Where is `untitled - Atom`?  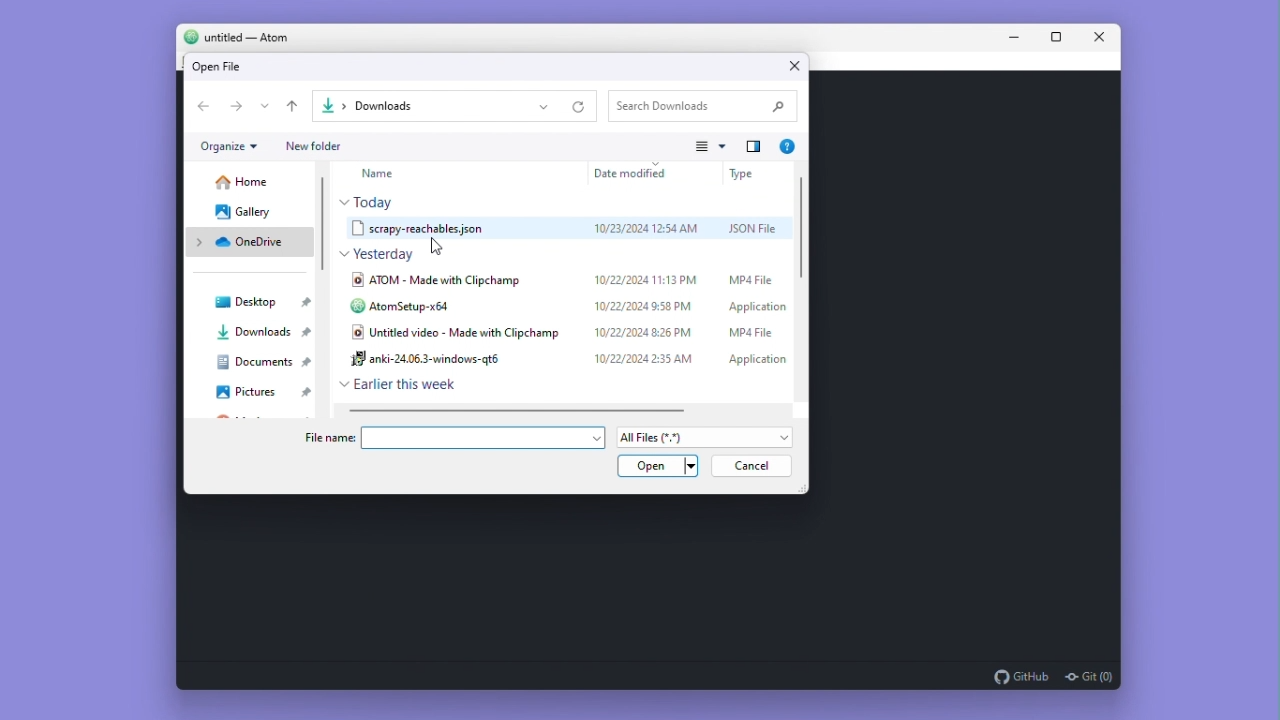 untitled - Atom is located at coordinates (256, 36).